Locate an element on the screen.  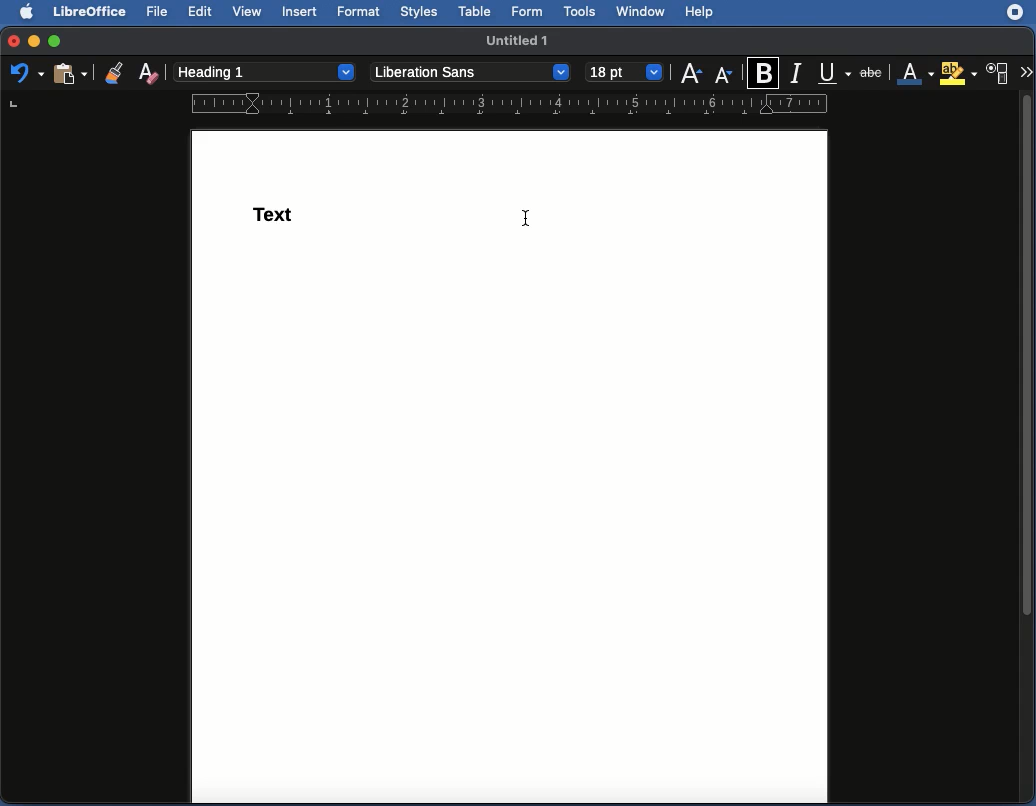
Heading is located at coordinates (278, 215).